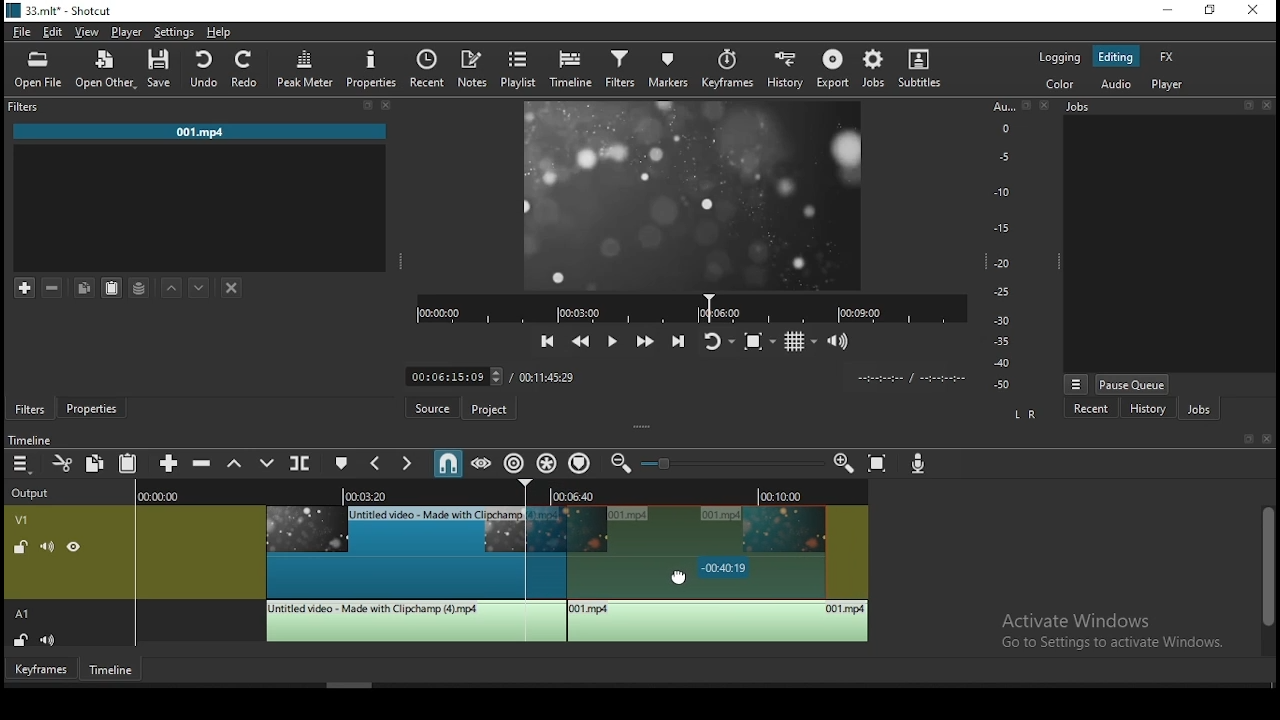 The height and width of the screenshot is (720, 1280). I want to click on view, so click(91, 31).